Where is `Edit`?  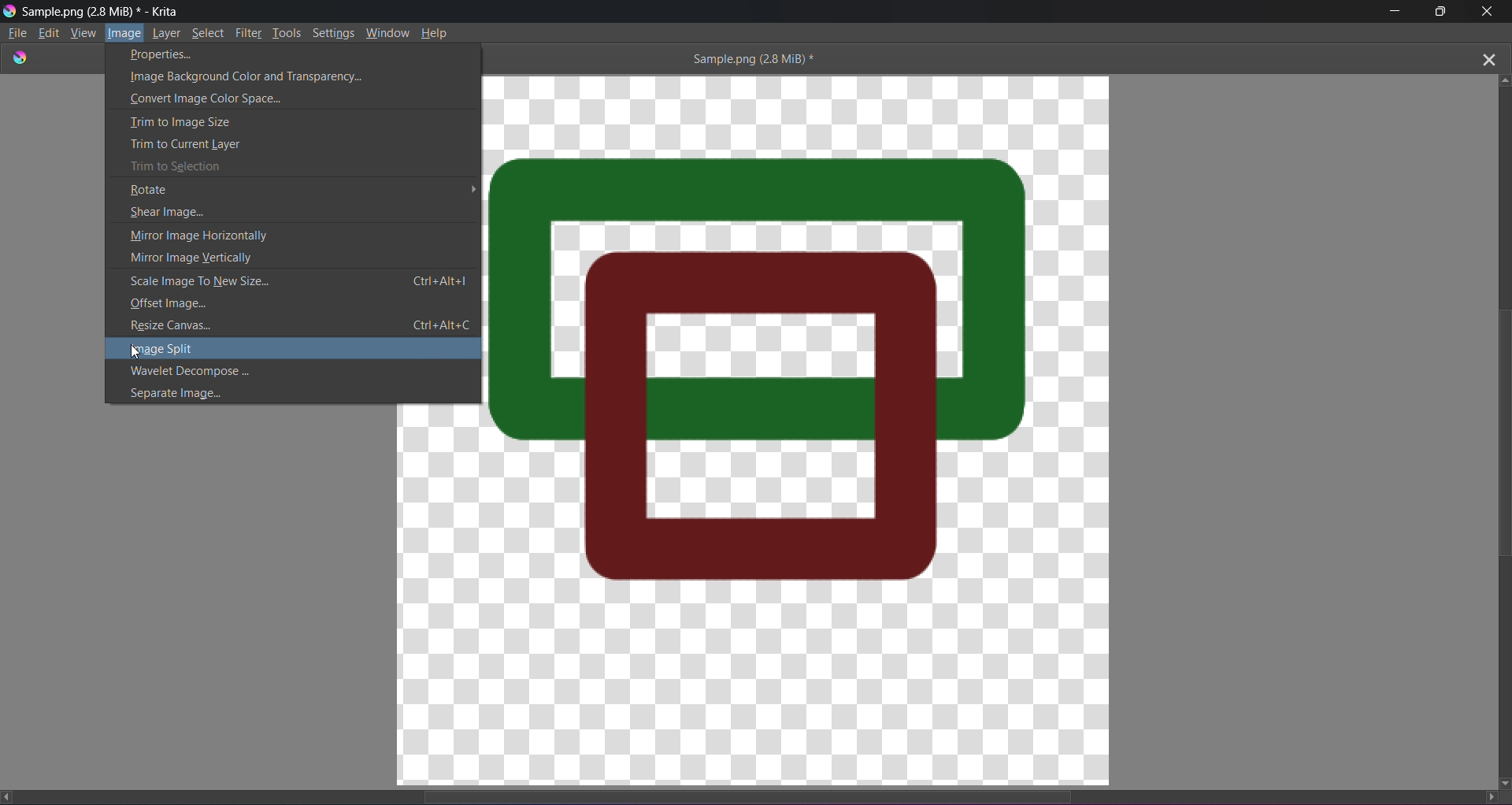
Edit is located at coordinates (50, 32).